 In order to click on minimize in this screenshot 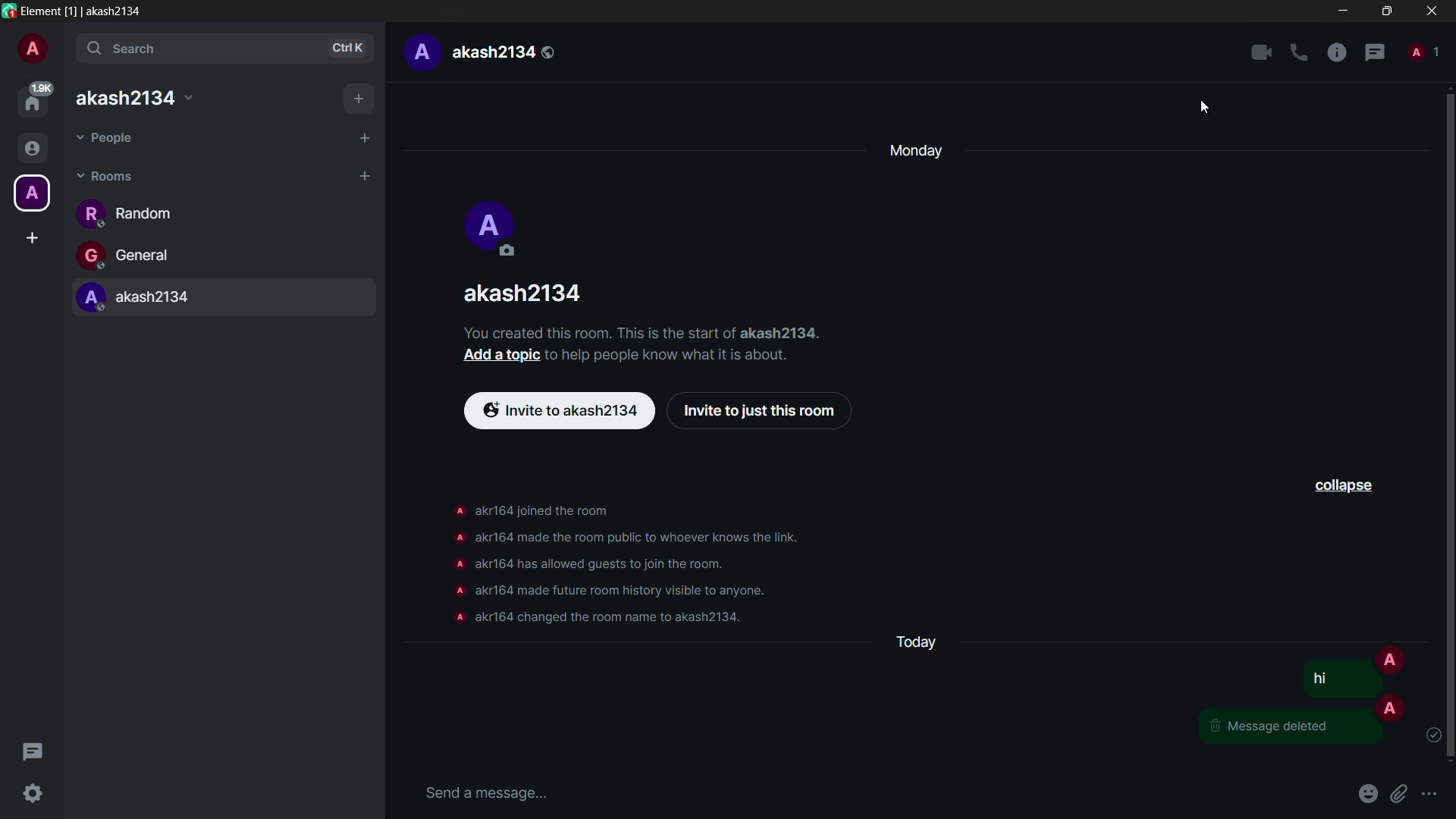, I will do `click(1345, 11)`.